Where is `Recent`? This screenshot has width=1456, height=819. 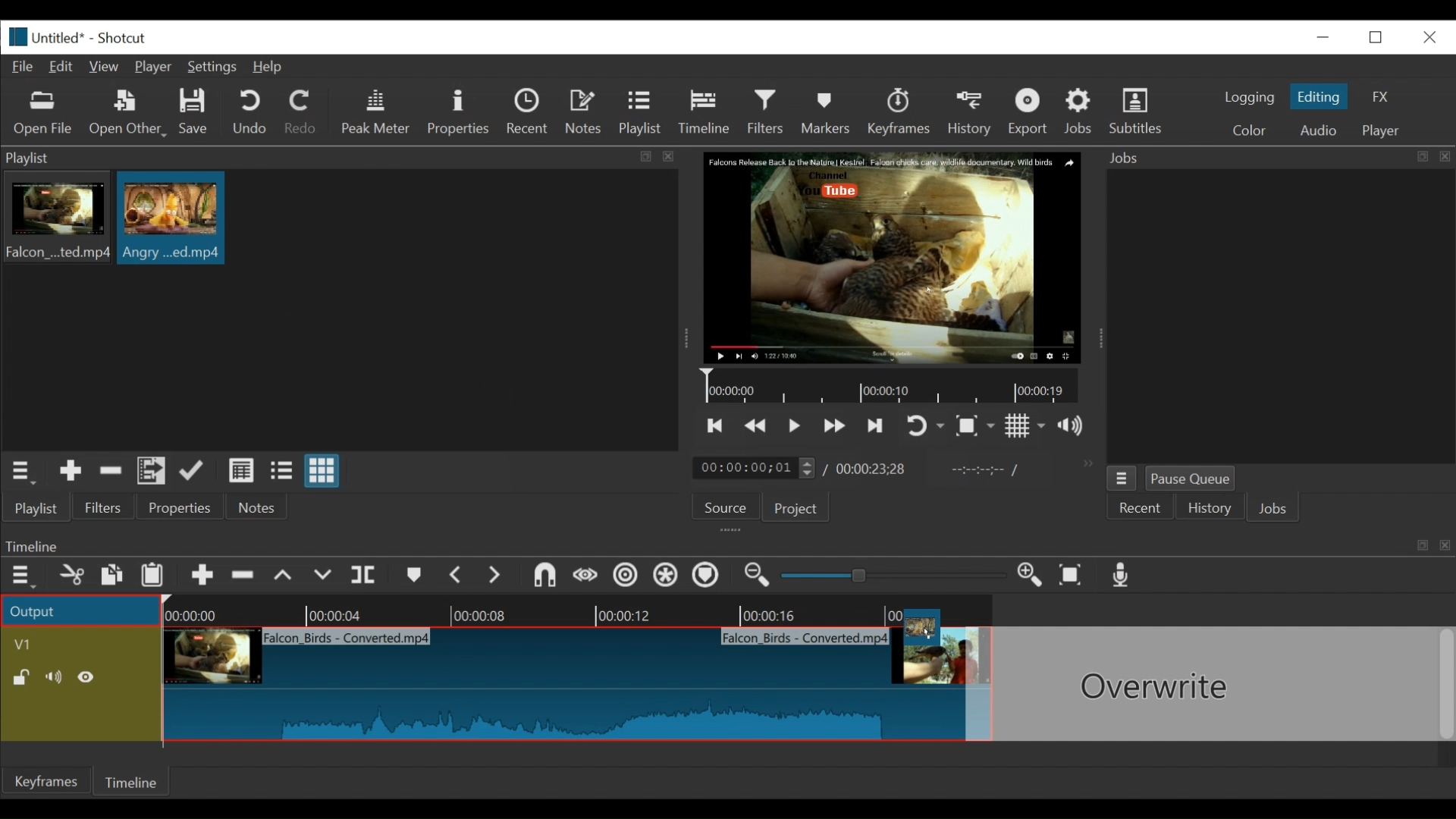
Recent is located at coordinates (1141, 509).